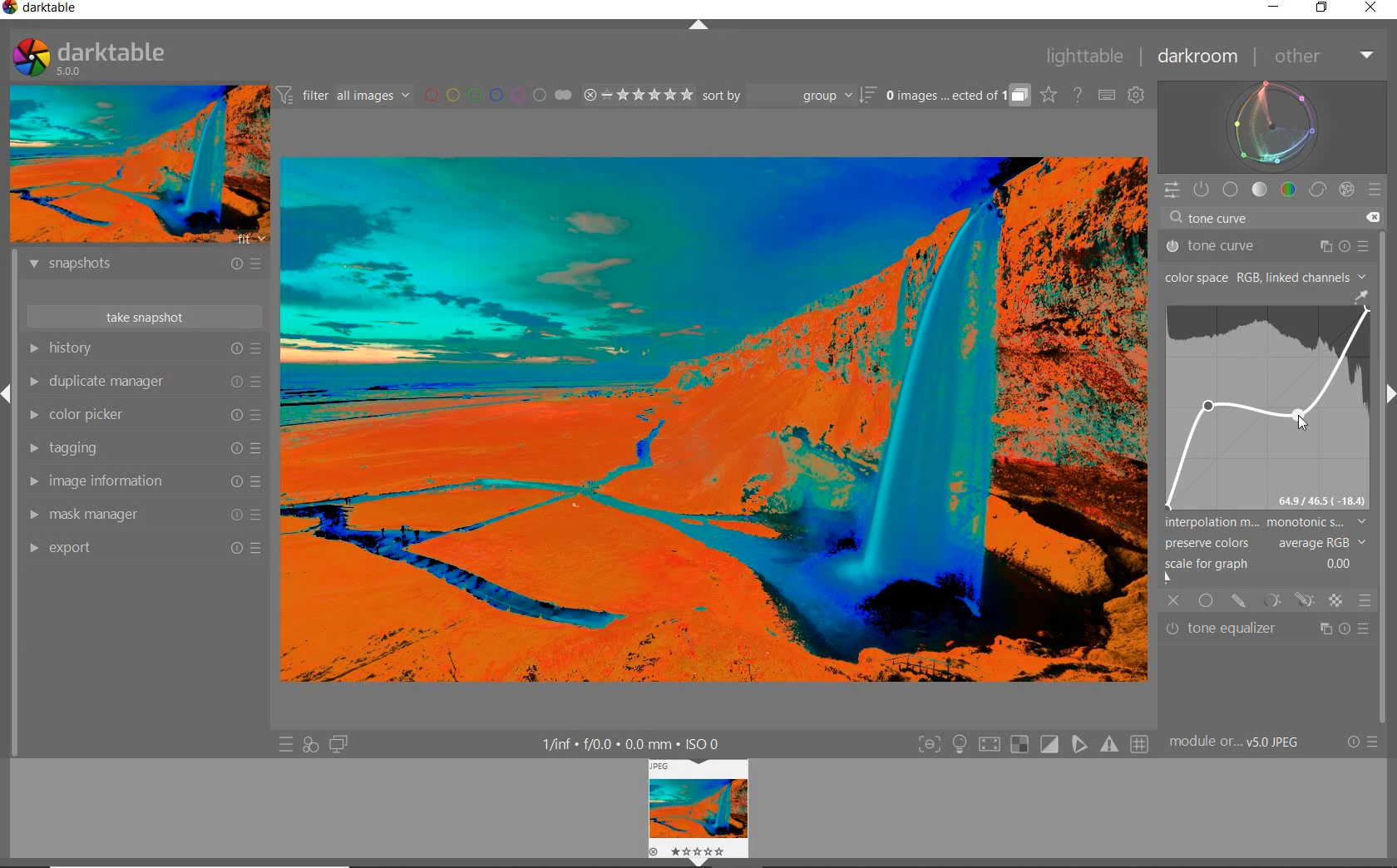 This screenshot has width=1397, height=868. What do you see at coordinates (90, 57) in the screenshot?
I see `SYSTEM LOGO` at bounding box center [90, 57].